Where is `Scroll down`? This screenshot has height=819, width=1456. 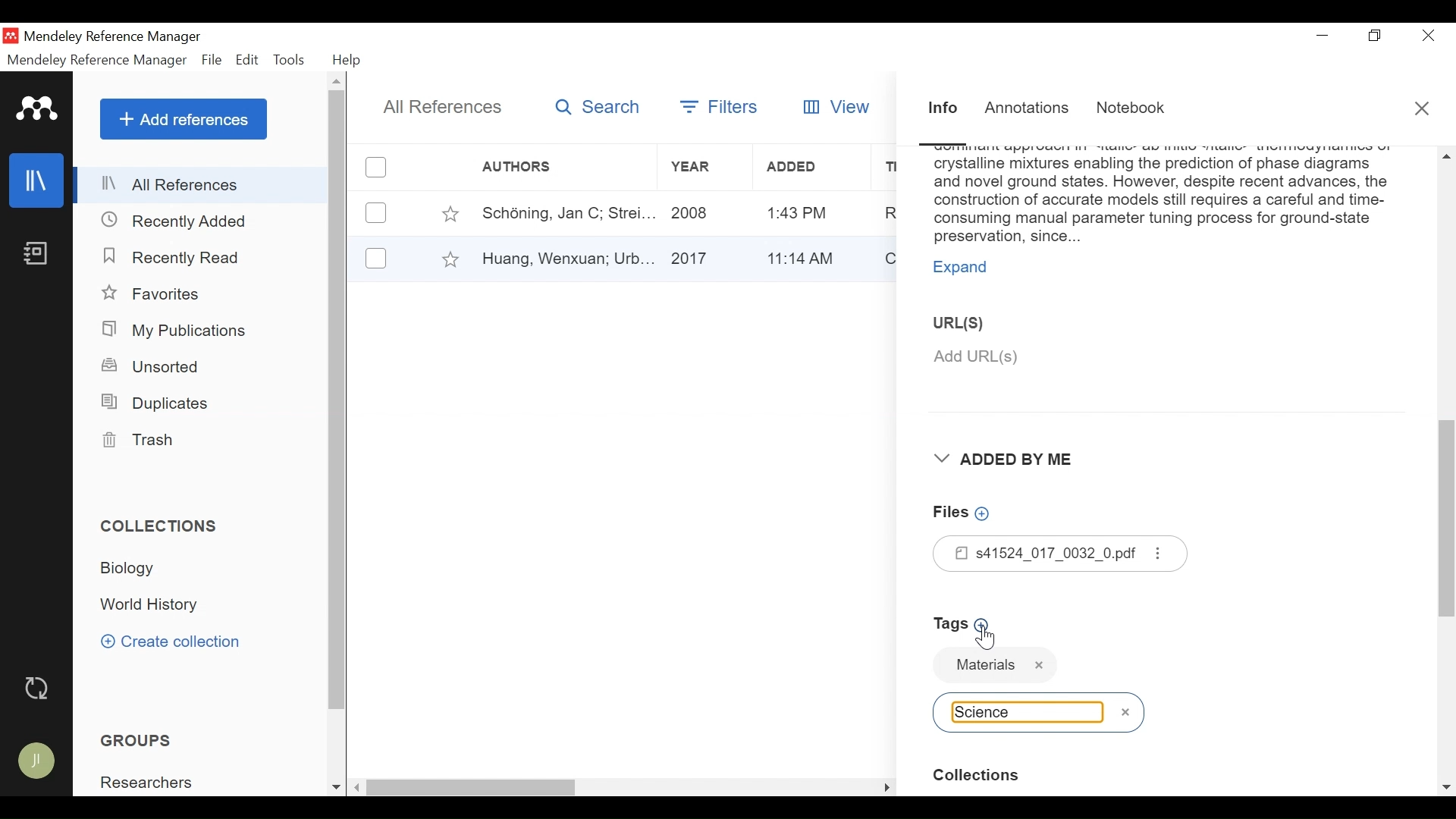 Scroll down is located at coordinates (1447, 789).